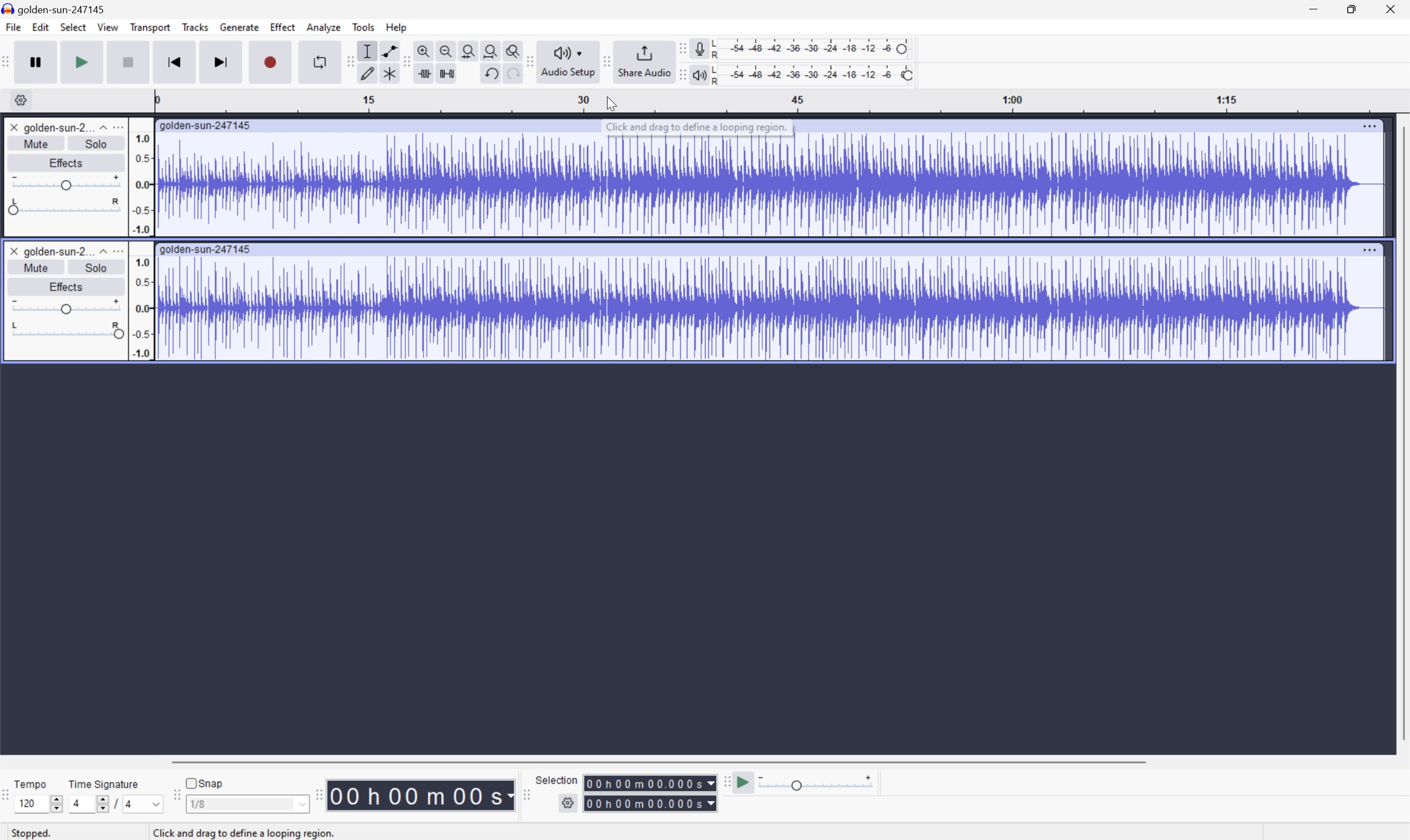  Describe the element at coordinates (195, 29) in the screenshot. I see `Tracks` at that location.